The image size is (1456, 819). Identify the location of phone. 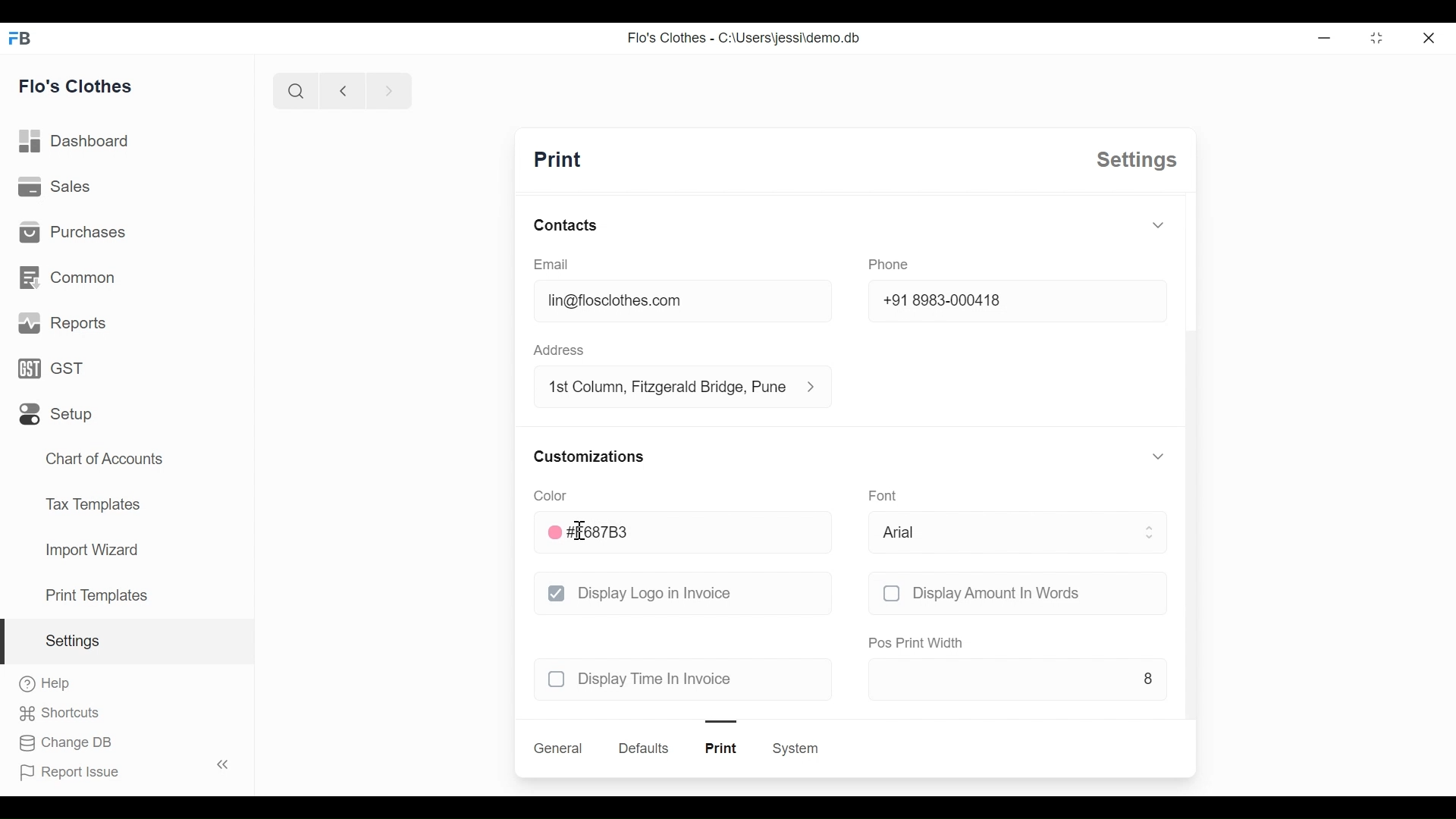
(889, 265).